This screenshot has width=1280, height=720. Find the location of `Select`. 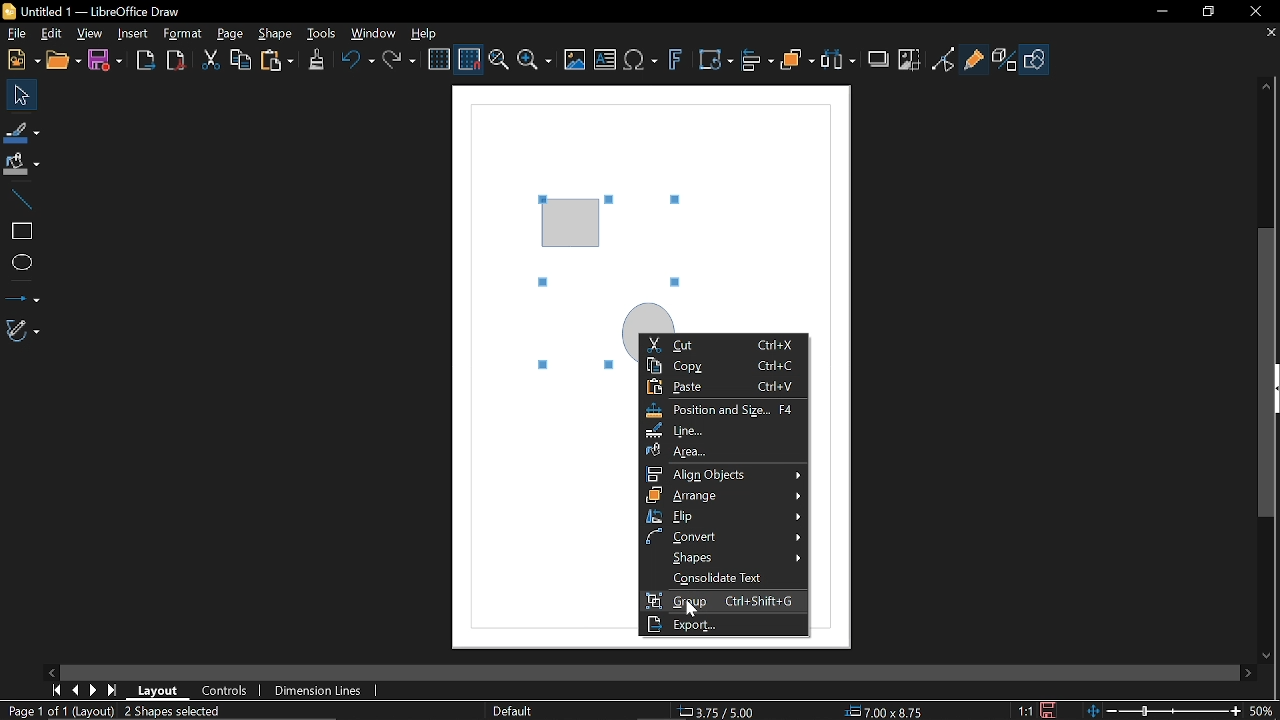

Select is located at coordinates (17, 93).